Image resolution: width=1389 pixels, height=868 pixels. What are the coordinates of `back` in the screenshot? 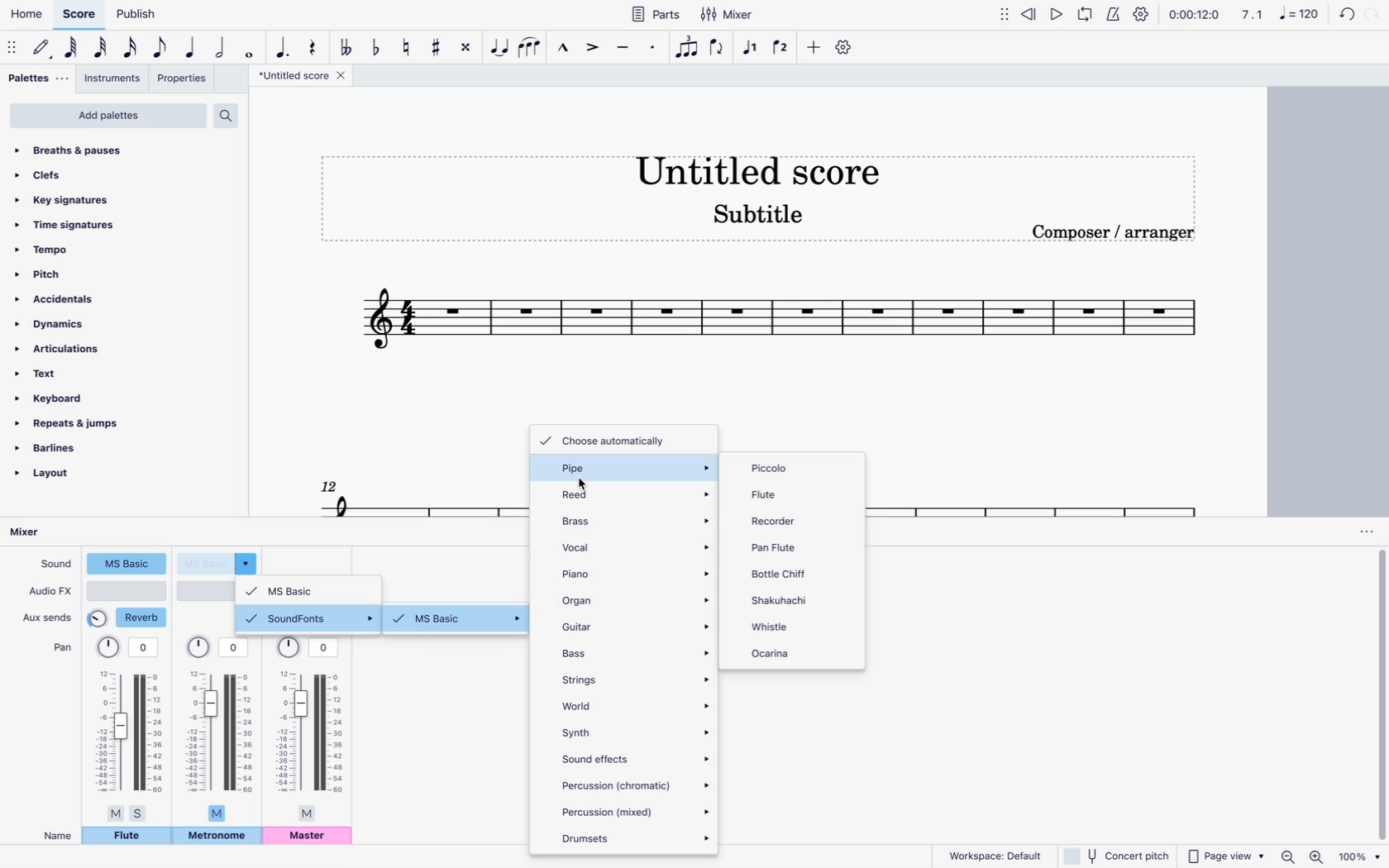 It's located at (1343, 14).